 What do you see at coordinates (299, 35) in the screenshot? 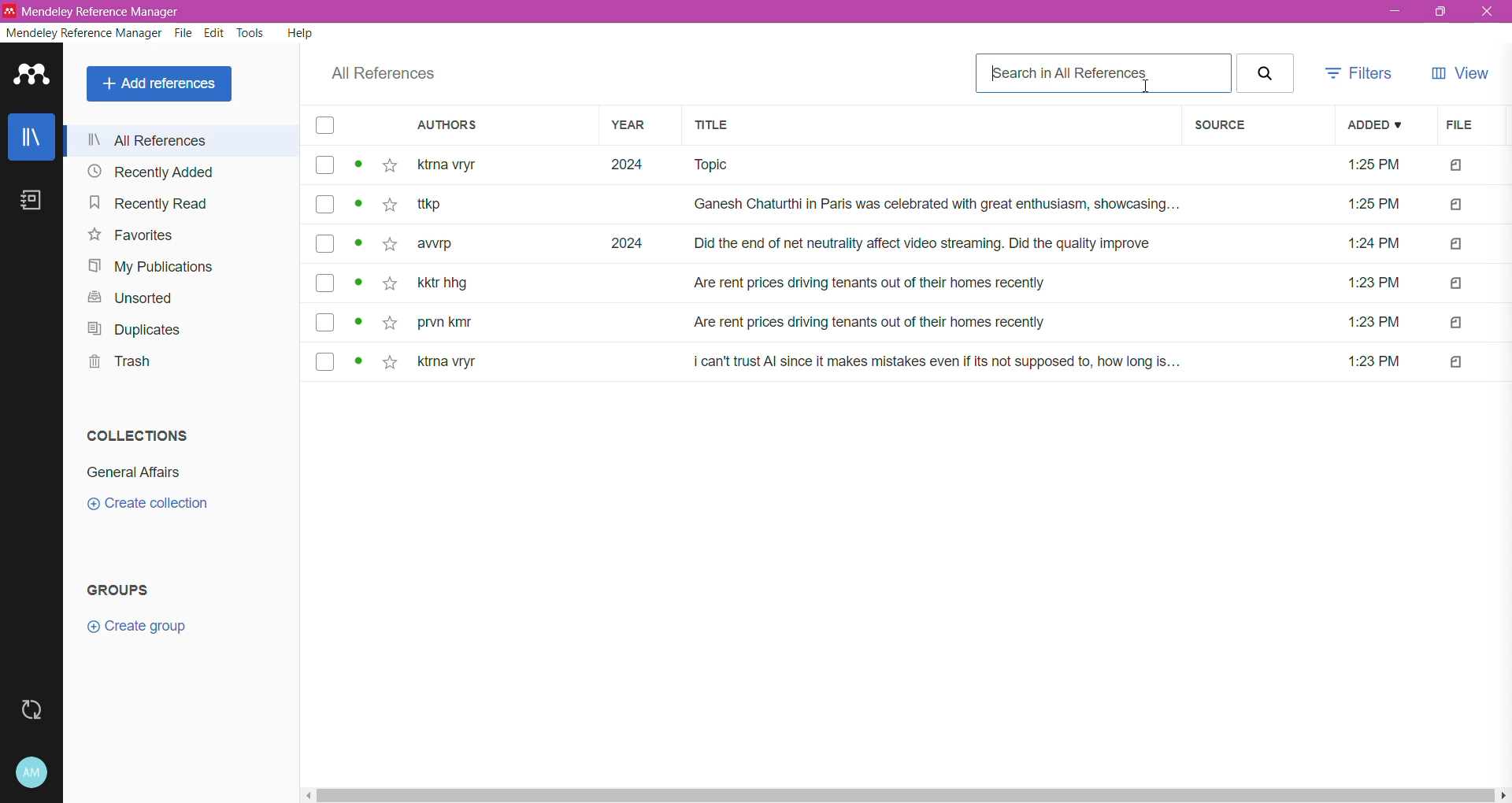
I see `Help` at bounding box center [299, 35].